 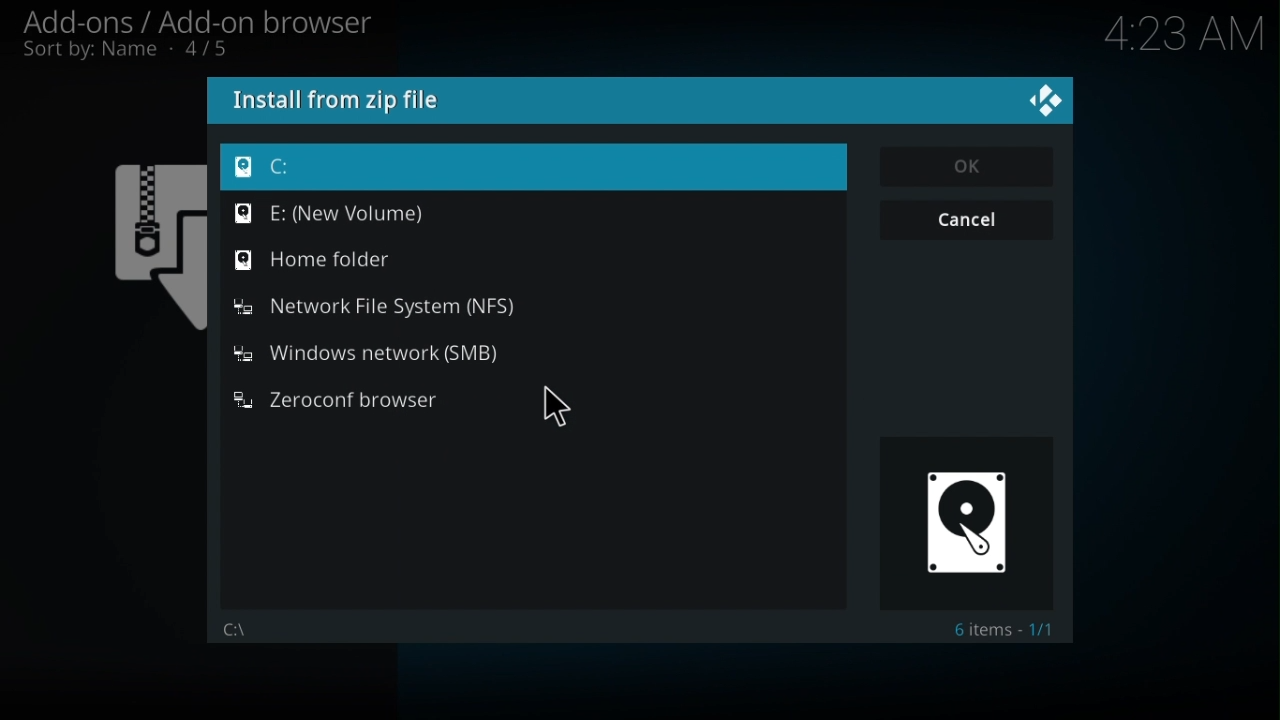 I want to click on C drive, so click(x=533, y=169).